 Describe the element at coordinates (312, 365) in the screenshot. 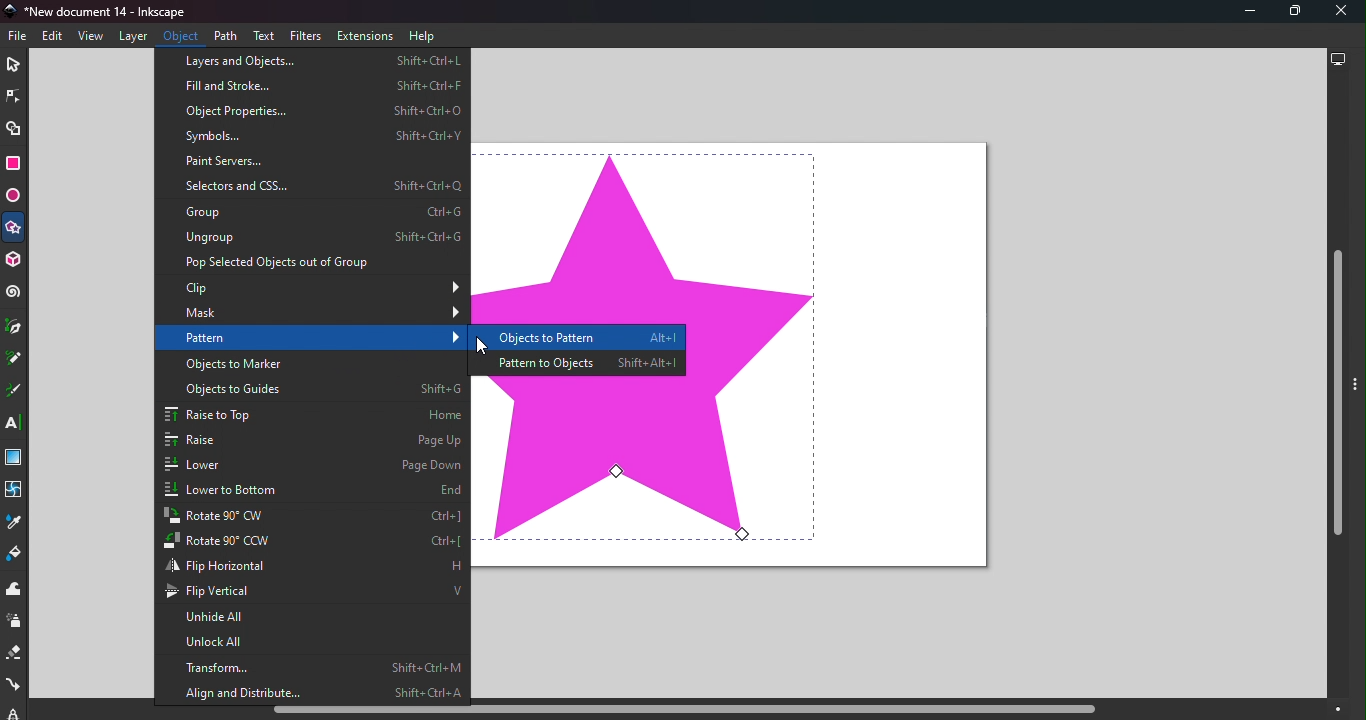

I see `Objects` at that location.